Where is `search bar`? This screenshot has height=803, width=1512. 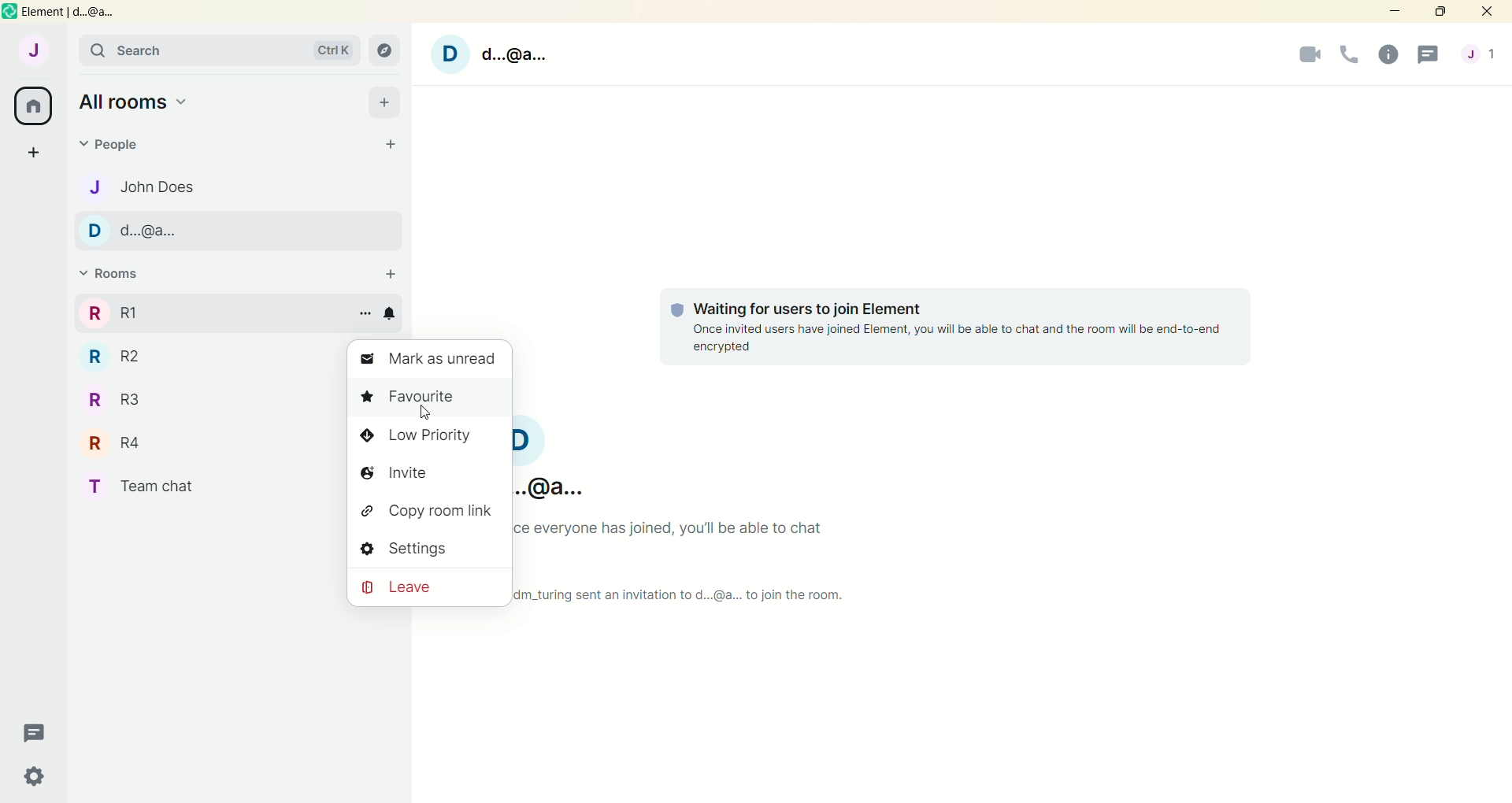
search bar is located at coordinates (159, 54).